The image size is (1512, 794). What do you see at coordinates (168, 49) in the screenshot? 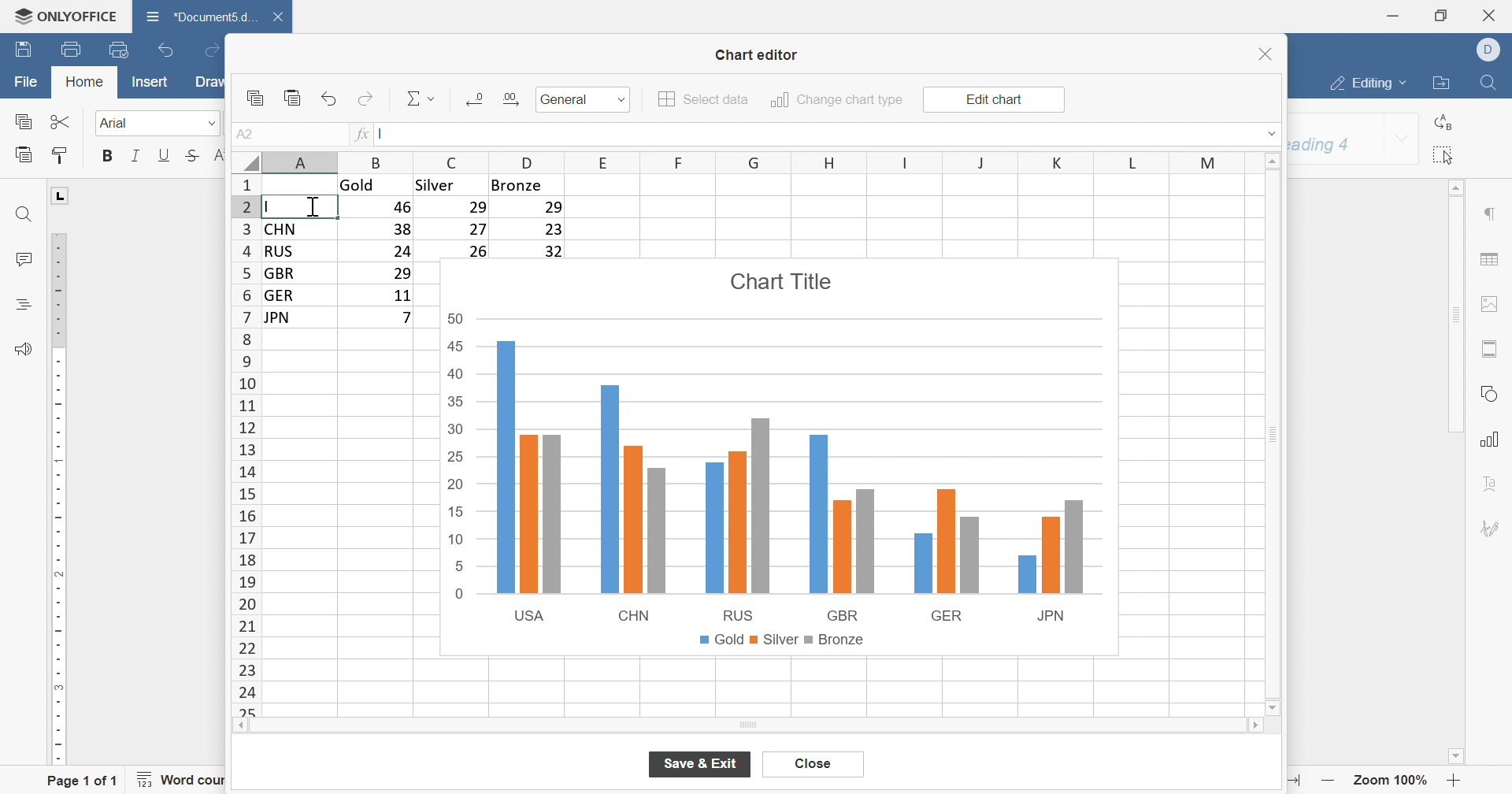
I see `undo` at bounding box center [168, 49].